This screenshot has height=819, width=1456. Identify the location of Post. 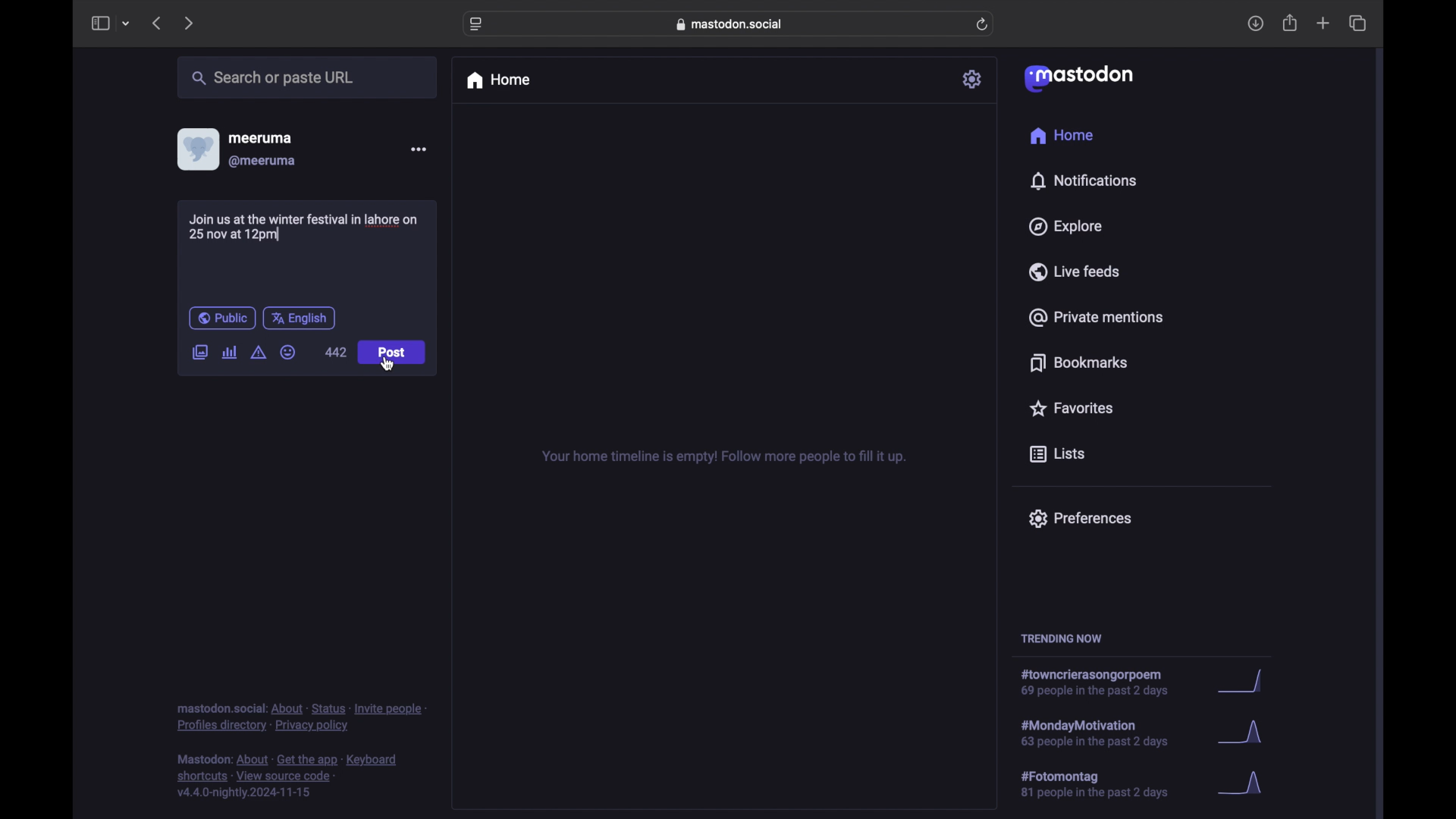
(393, 353).